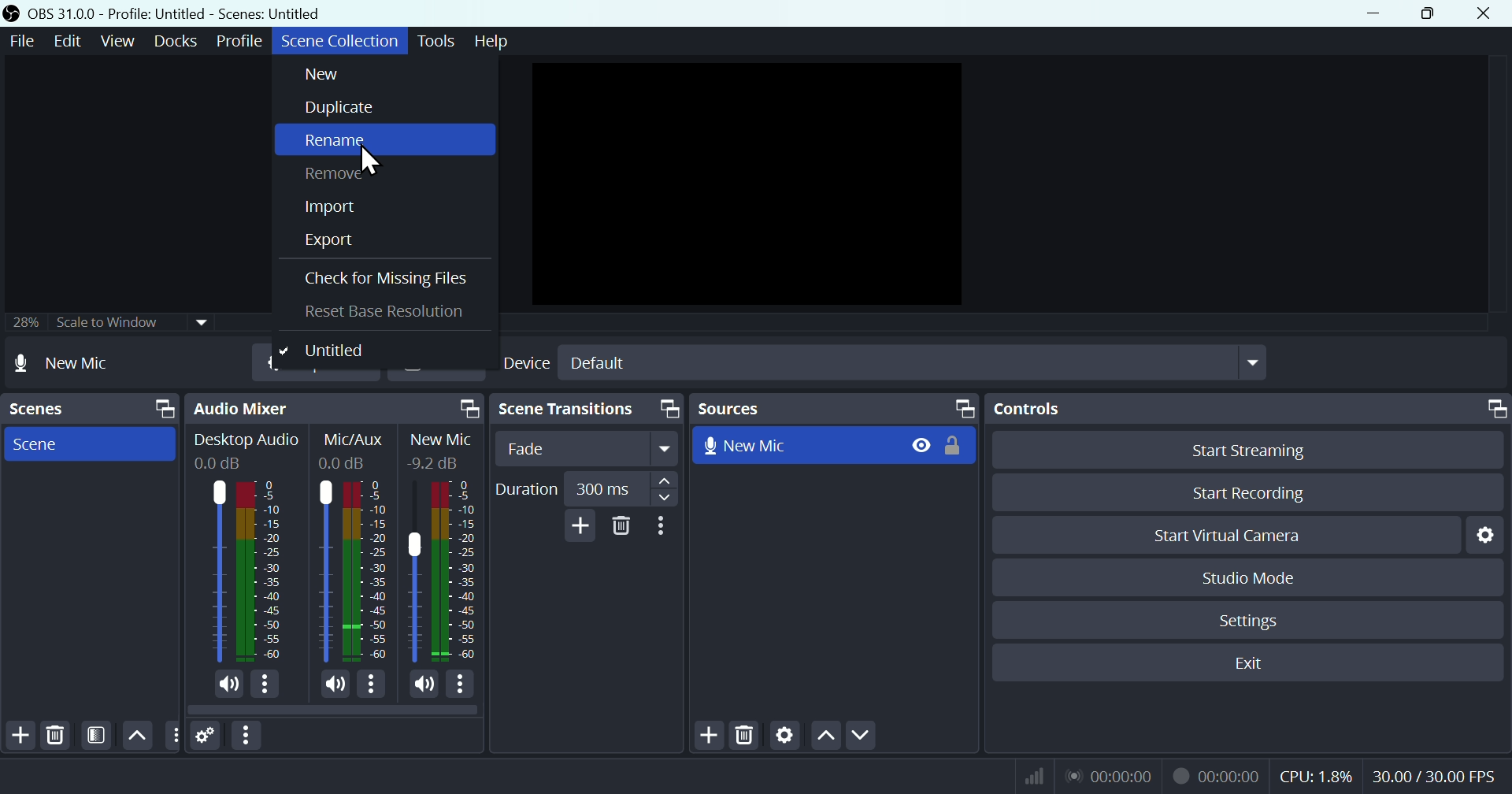 This screenshot has height=794, width=1512. I want to click on Start recording, so click(1256, 491).